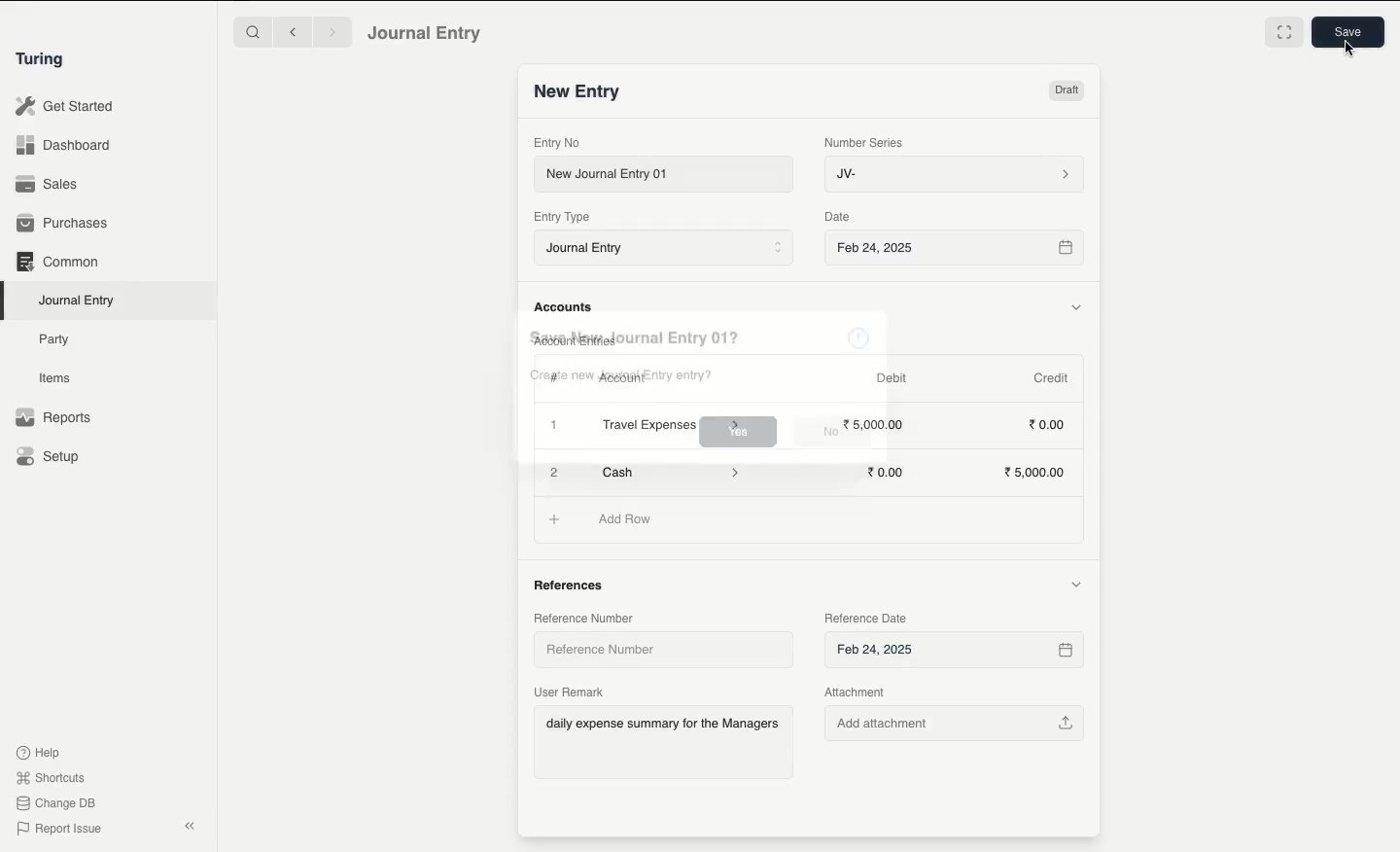 This screenshot has height=852, width=1400. Describe the element at coordinates (651, 648) in the screenshot. I see `Reference Number` at that location.